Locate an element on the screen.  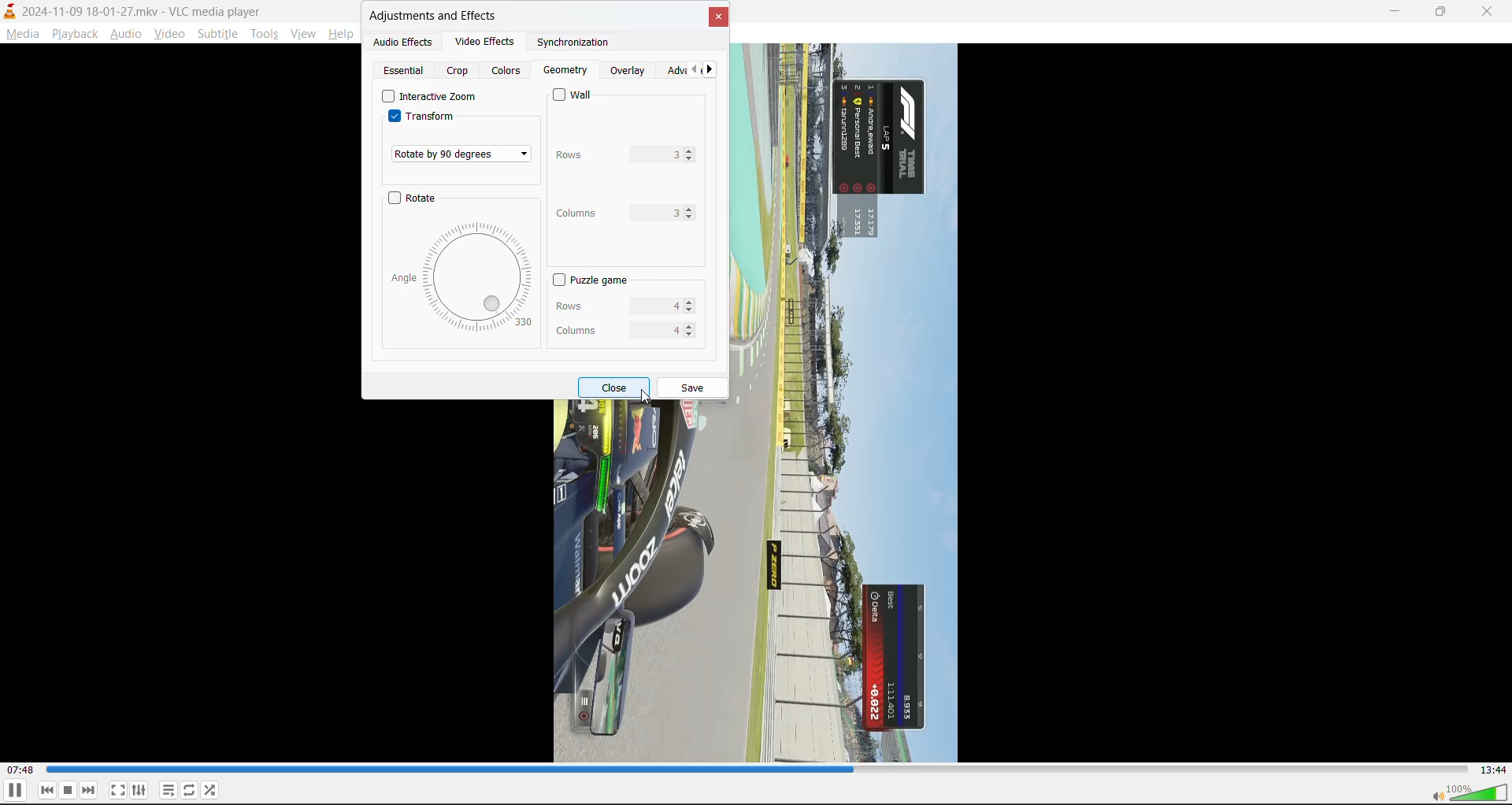
random is located at coordinates (212, 788).